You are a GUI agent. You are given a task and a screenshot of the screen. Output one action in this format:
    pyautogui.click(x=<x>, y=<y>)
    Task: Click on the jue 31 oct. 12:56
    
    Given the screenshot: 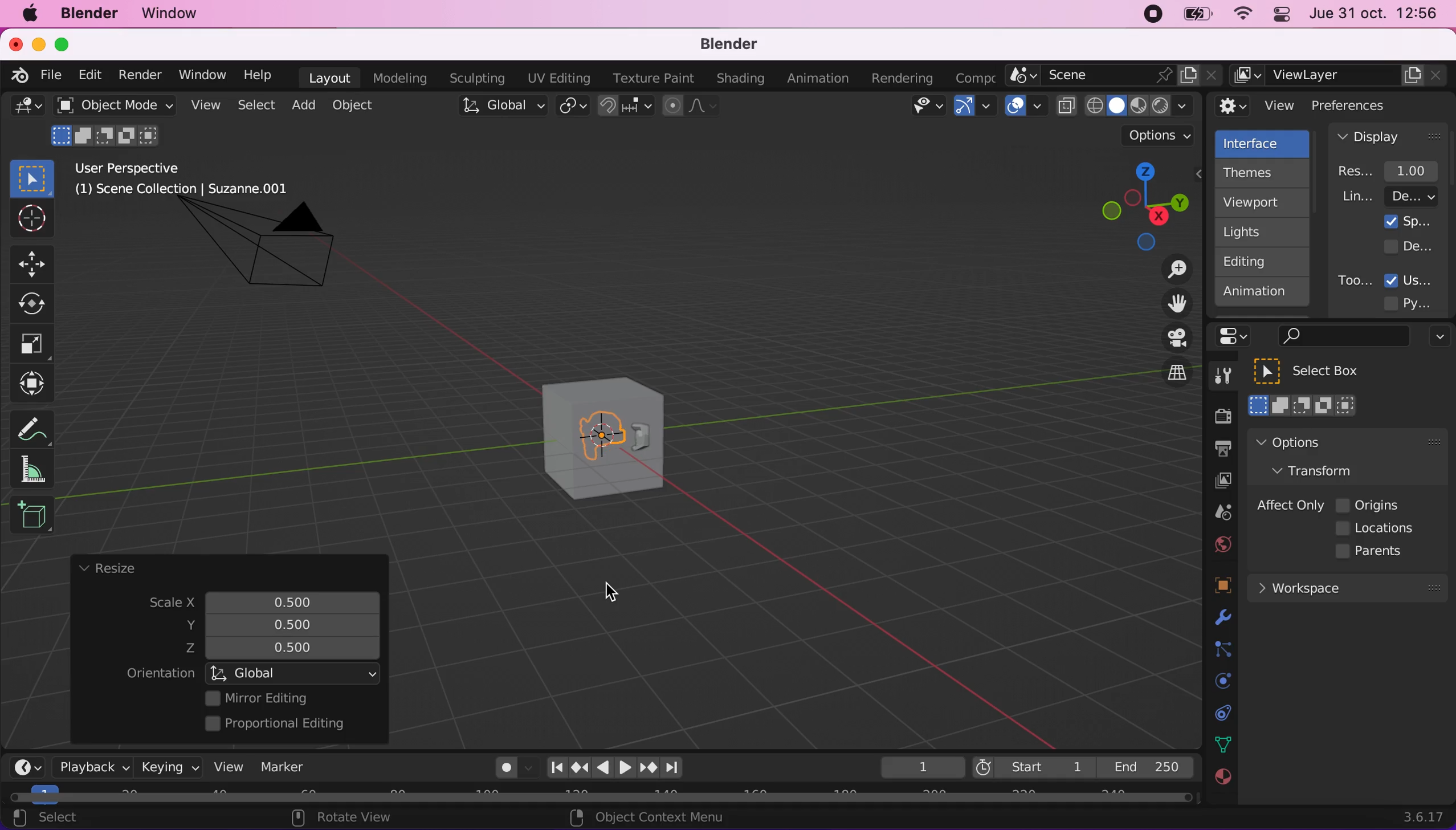 What is the action you would take?
    pyautogui.click(x=1374, y=14)
    